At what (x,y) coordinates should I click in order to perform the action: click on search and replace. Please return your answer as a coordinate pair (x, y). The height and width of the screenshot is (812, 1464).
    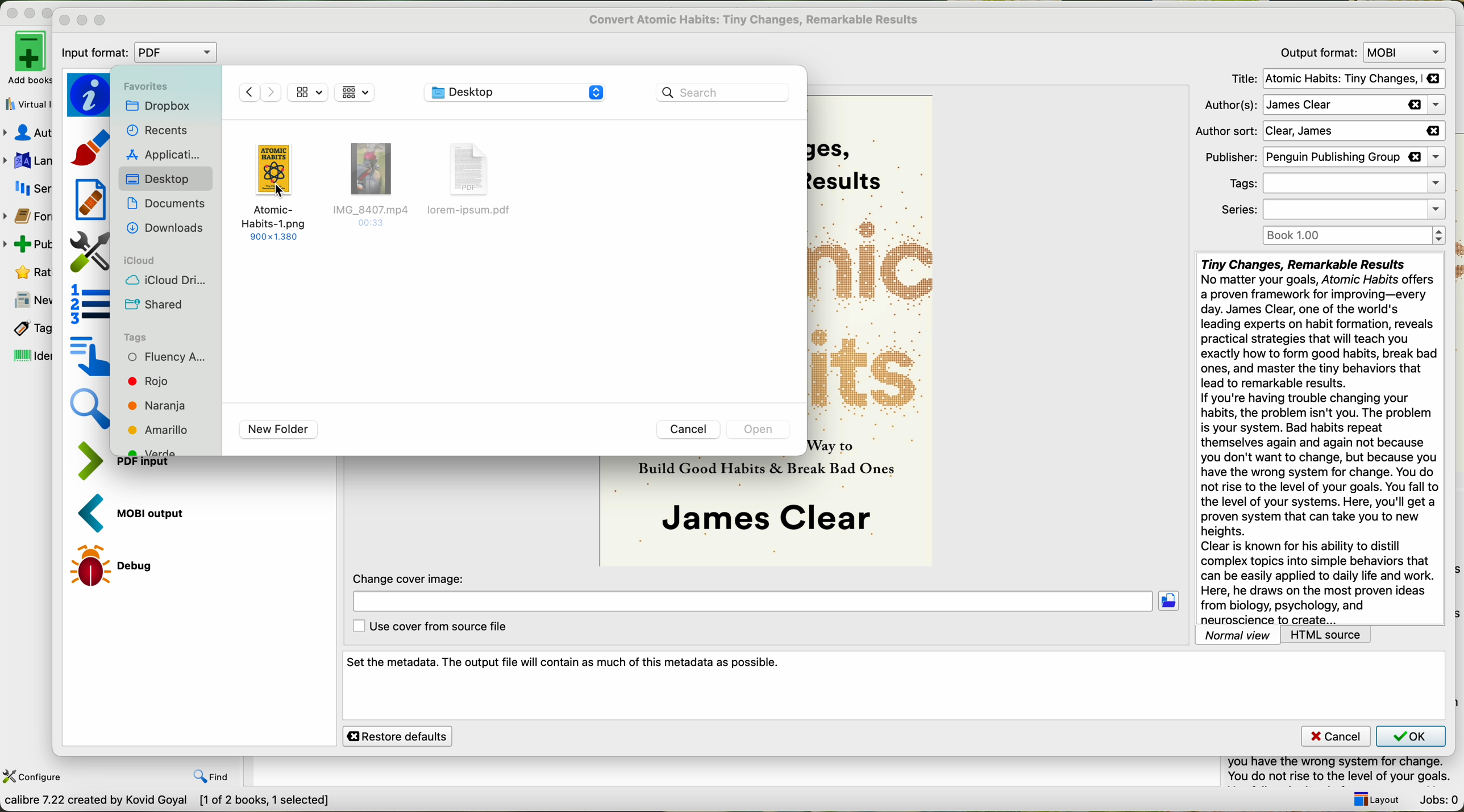
    Looking at the image, I should click on (92, 411).